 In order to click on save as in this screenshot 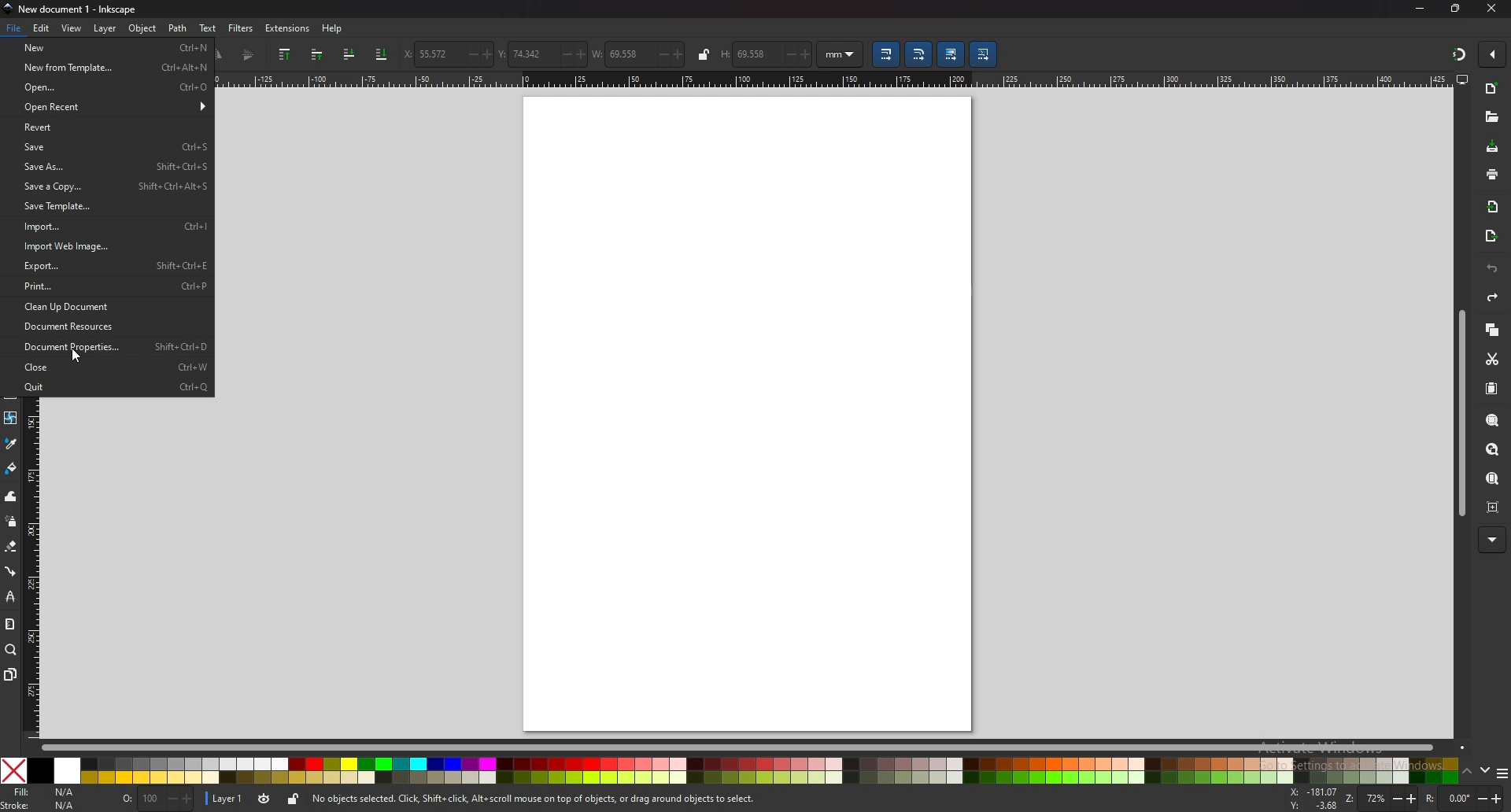, I will do `click(110, 166)`.